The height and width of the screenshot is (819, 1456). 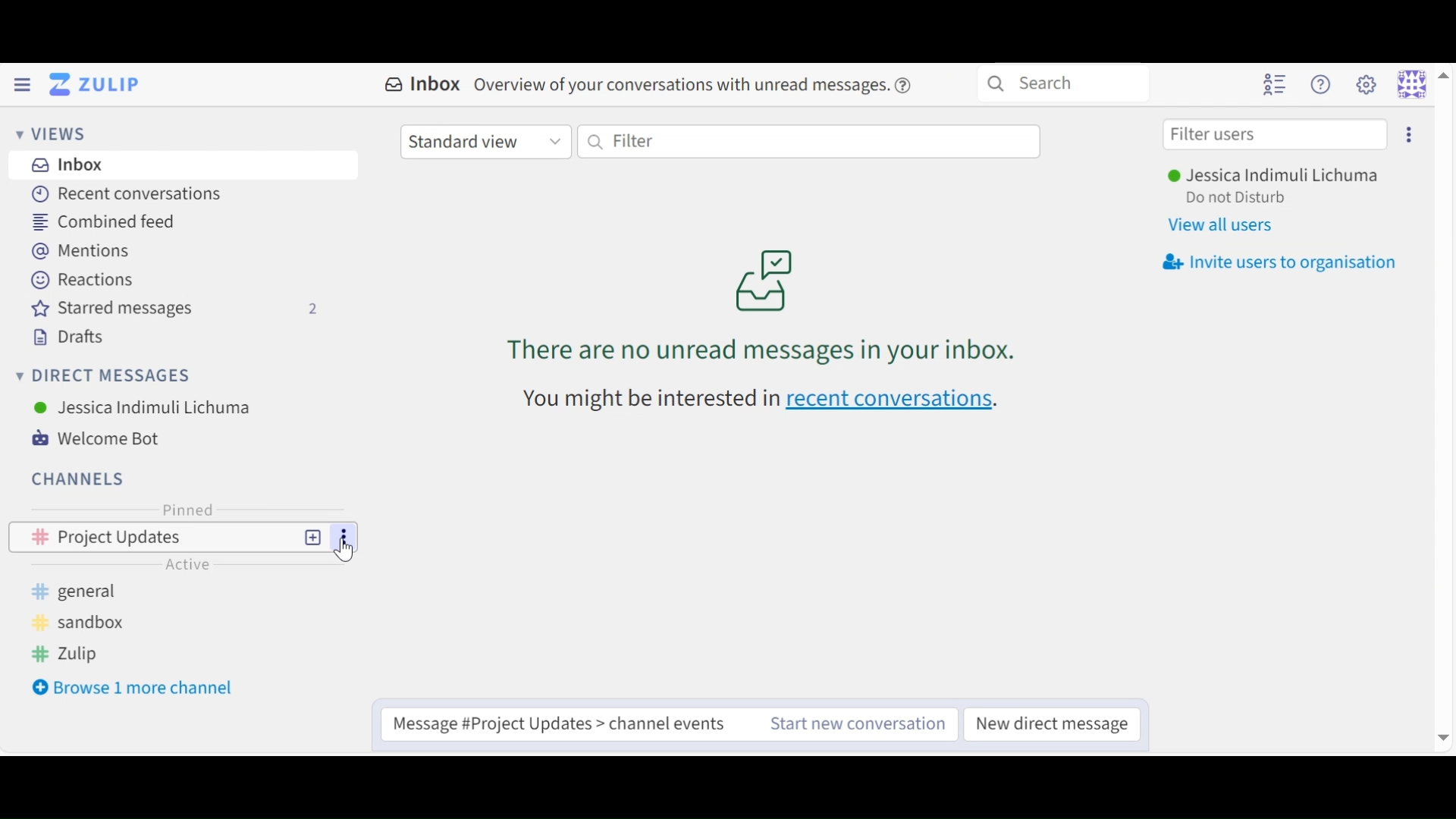 What do you see at coordinates (181, 309) in the screenshot?
I see `Starred messages` at bounding box center [181, 309].